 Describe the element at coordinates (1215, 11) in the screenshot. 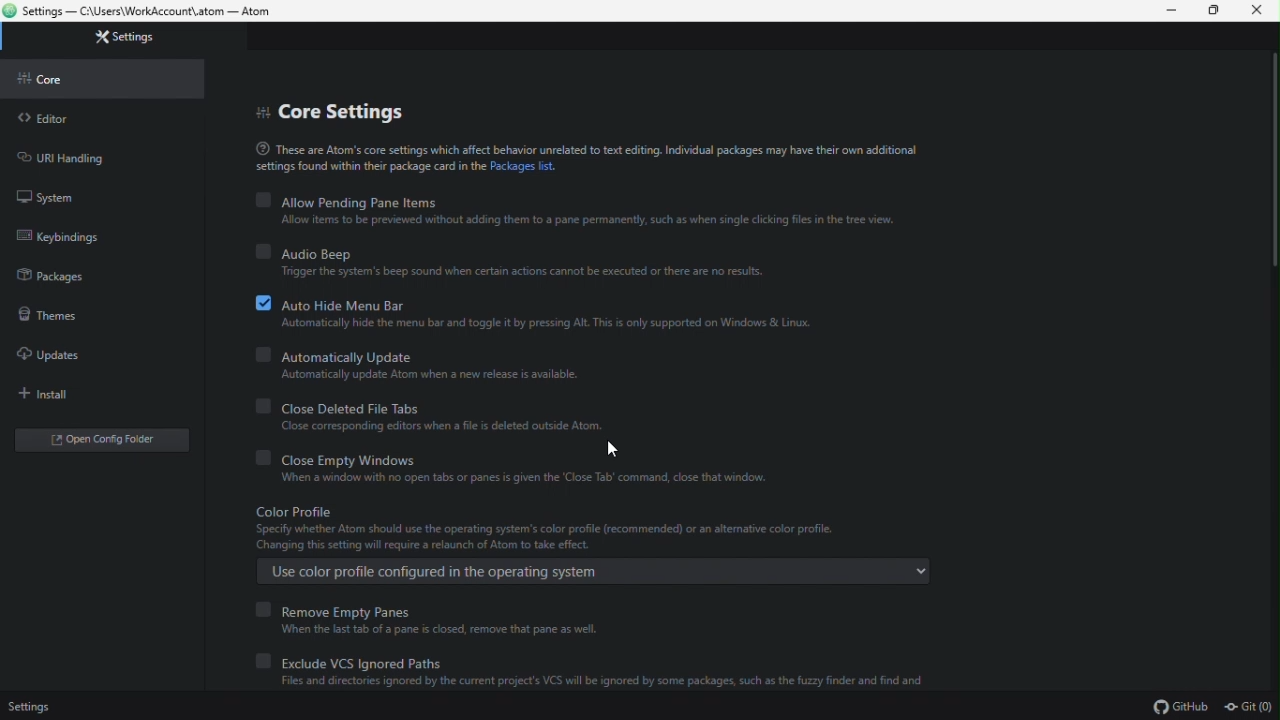

I see `restore` at that location.